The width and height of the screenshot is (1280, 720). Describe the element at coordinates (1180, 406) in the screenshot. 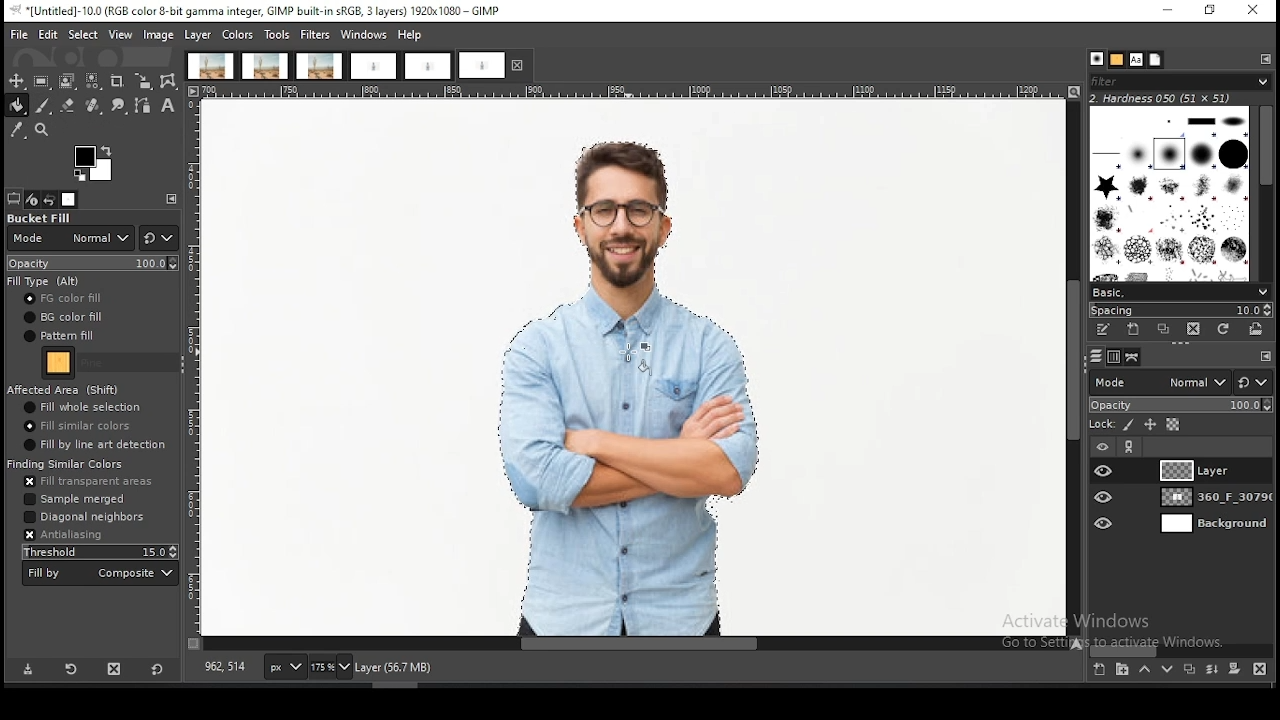

I see `opacity` at that location.